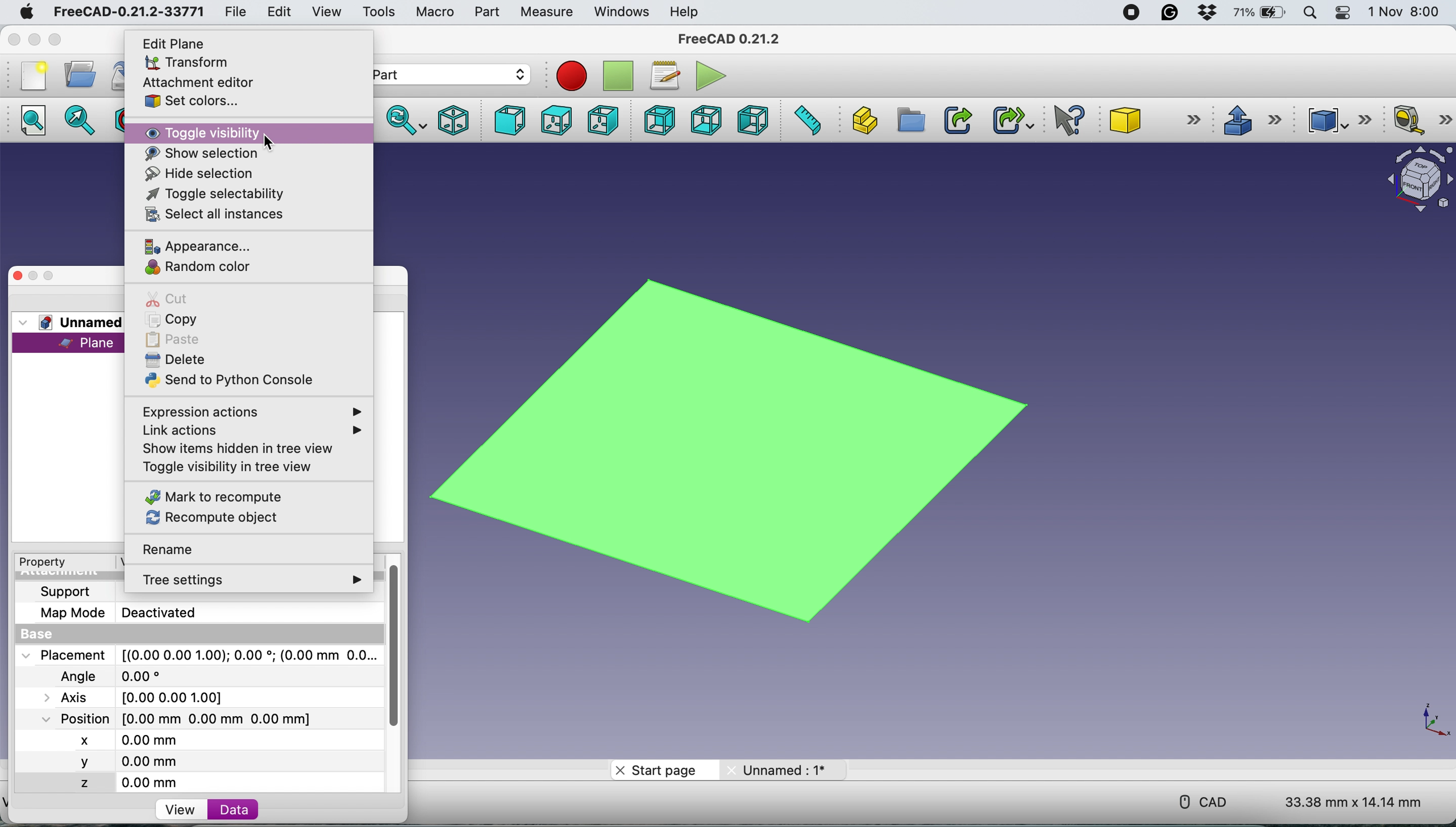  Describe the element at coordinates (219, 496) in the screenshot. I see `mark to recompute` at that location.